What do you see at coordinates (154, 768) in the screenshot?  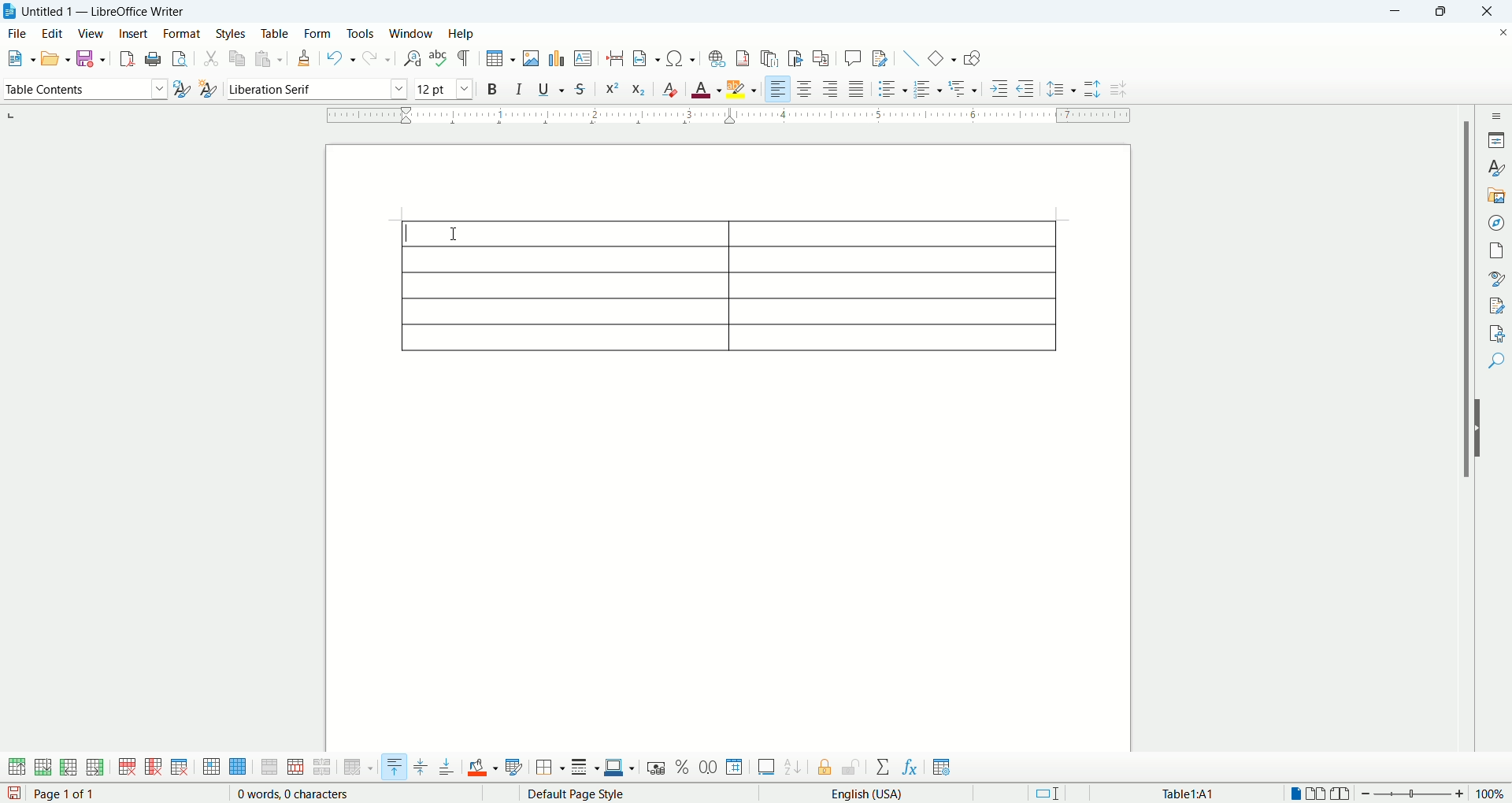 I see `delete selected column` at bounding box center [154, 768].